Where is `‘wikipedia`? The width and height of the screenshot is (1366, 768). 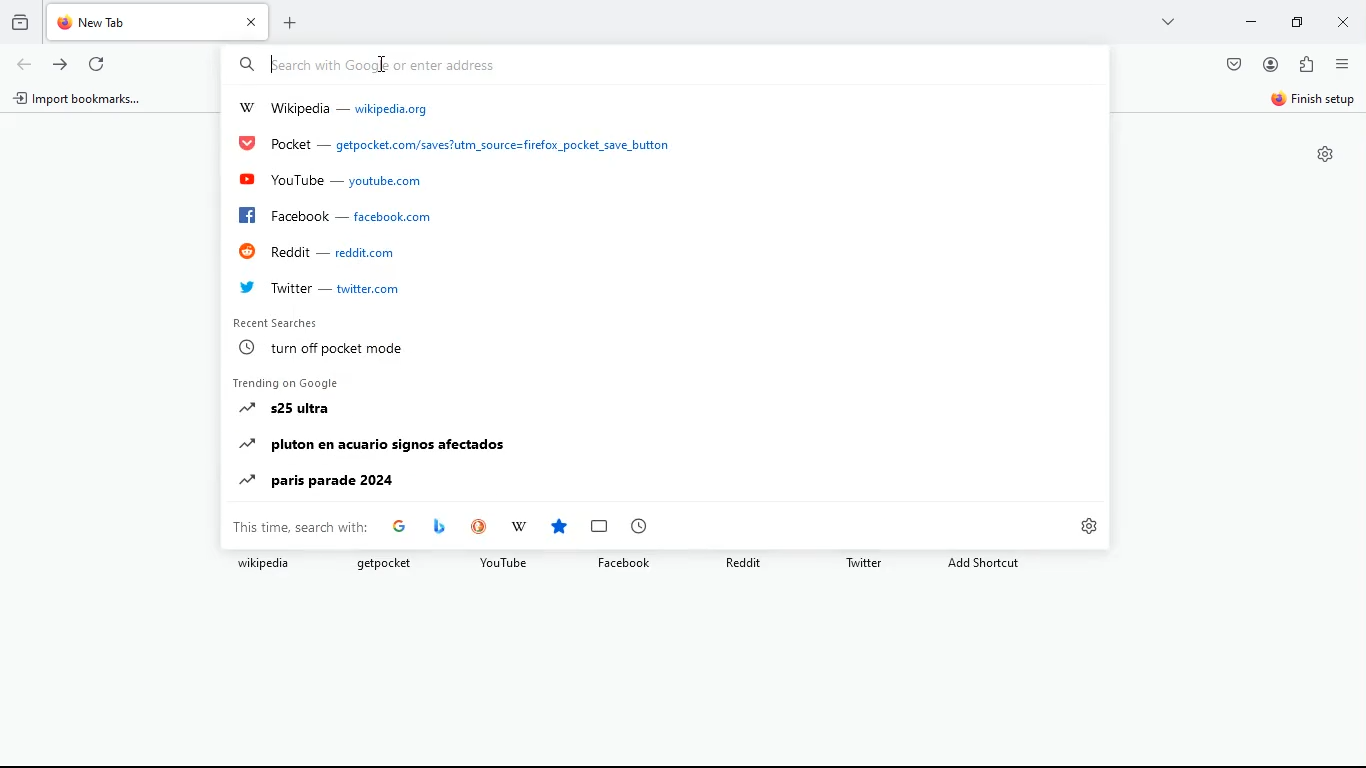
‘wikipedia is located at coordinates (264, 564).